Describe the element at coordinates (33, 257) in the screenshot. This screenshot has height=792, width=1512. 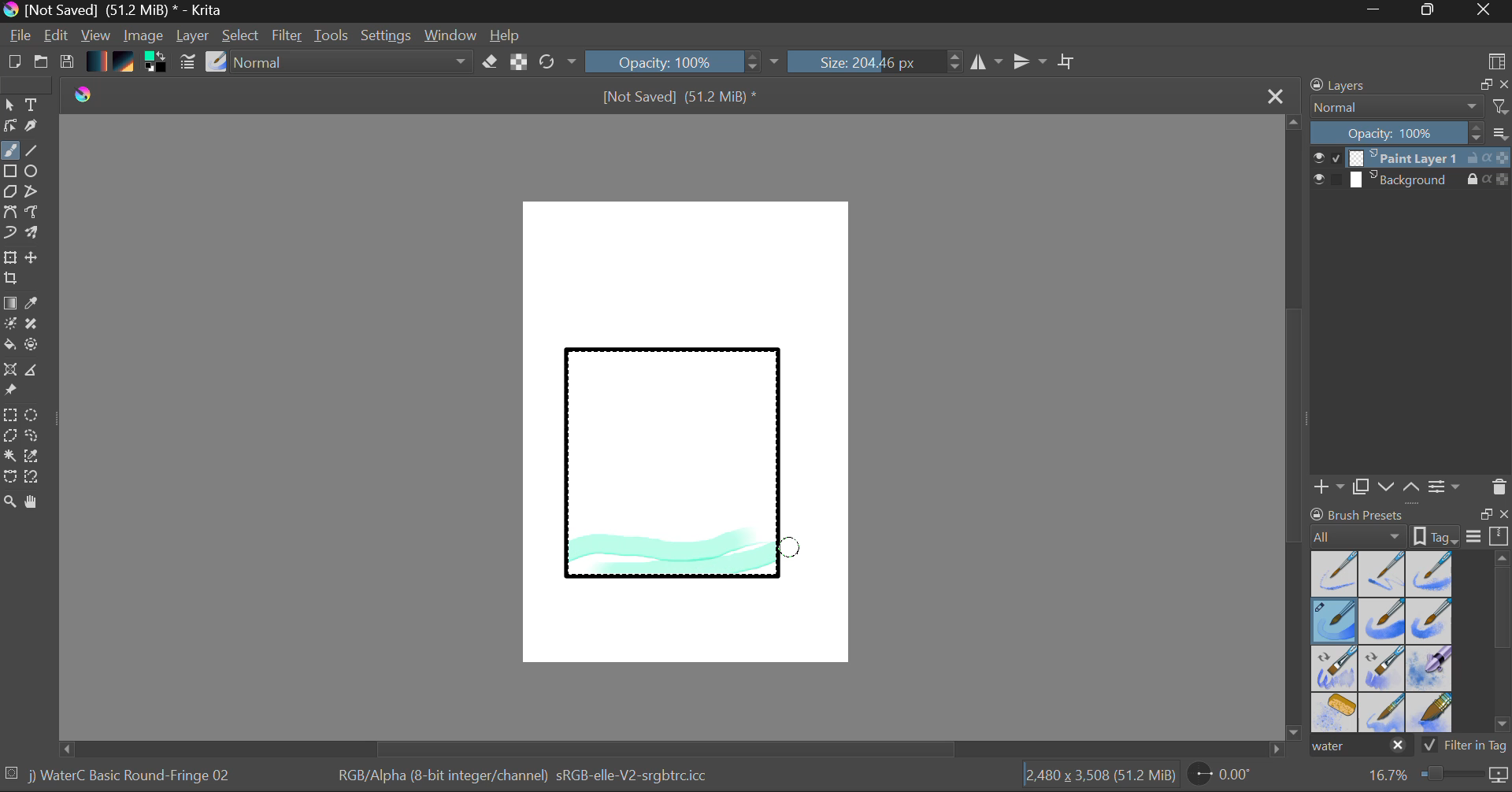
I see `Move Layer` at that location.